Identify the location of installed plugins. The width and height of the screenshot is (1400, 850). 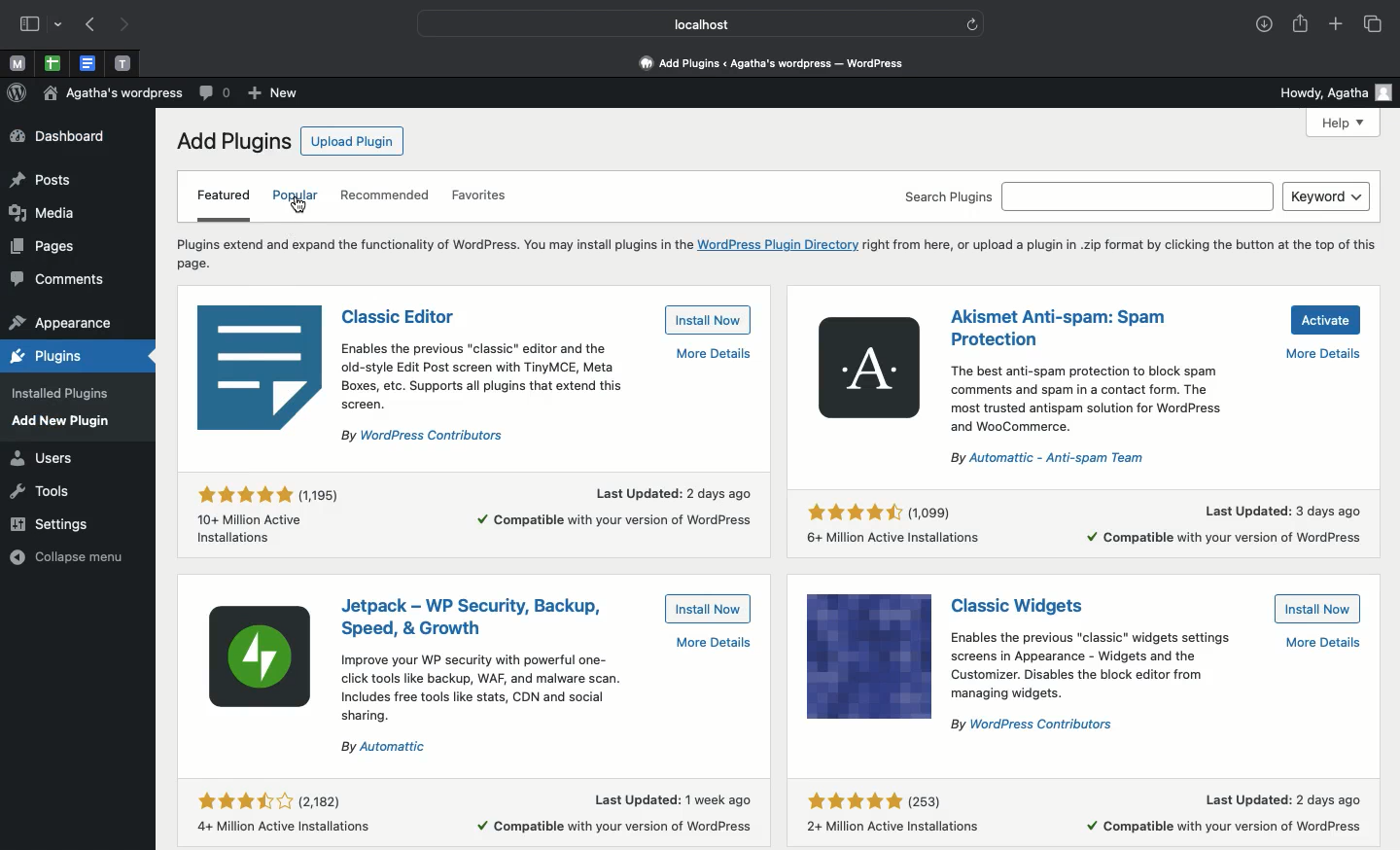
(58, 395).